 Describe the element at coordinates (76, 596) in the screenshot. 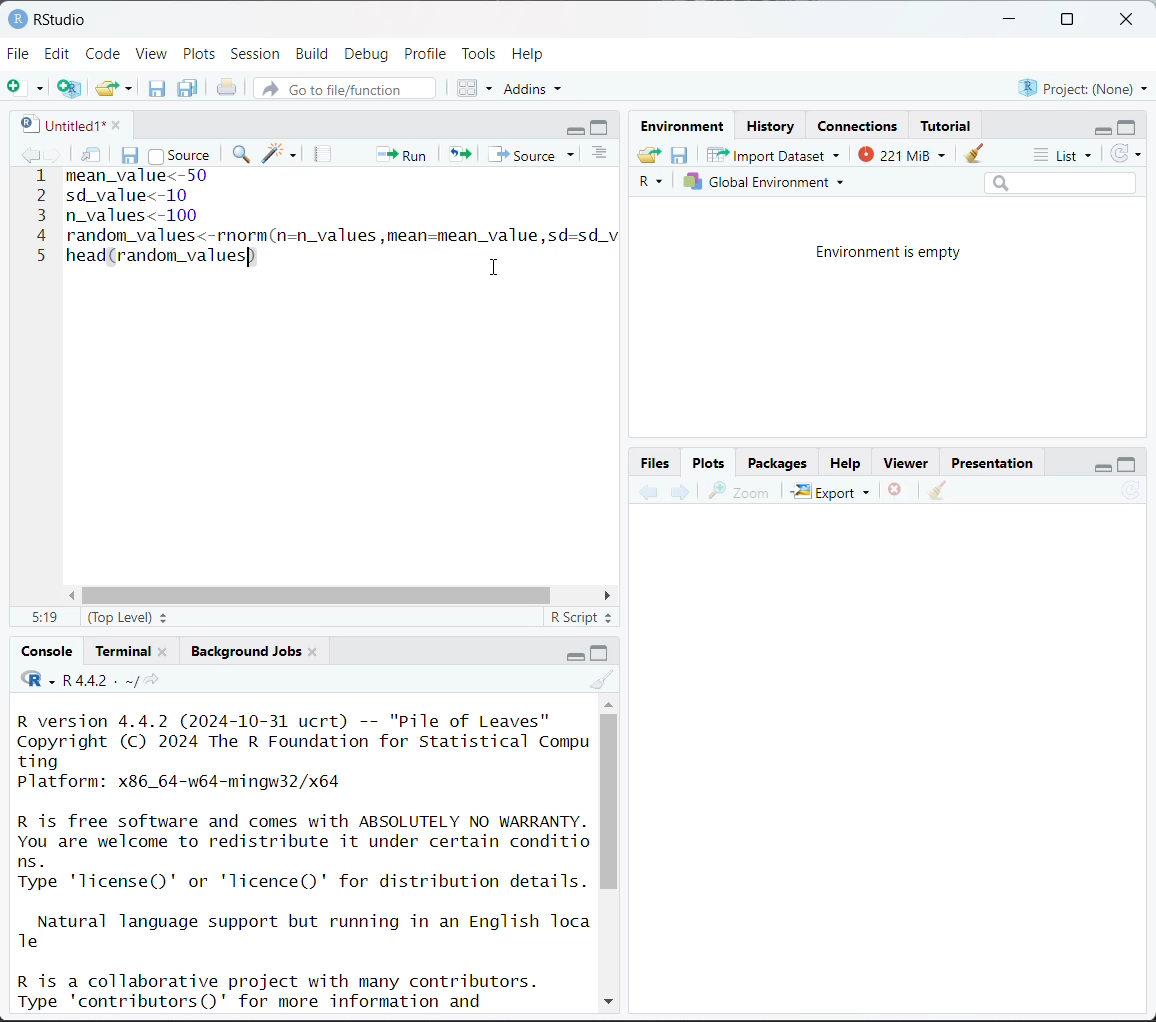

I see `move left` at that location.